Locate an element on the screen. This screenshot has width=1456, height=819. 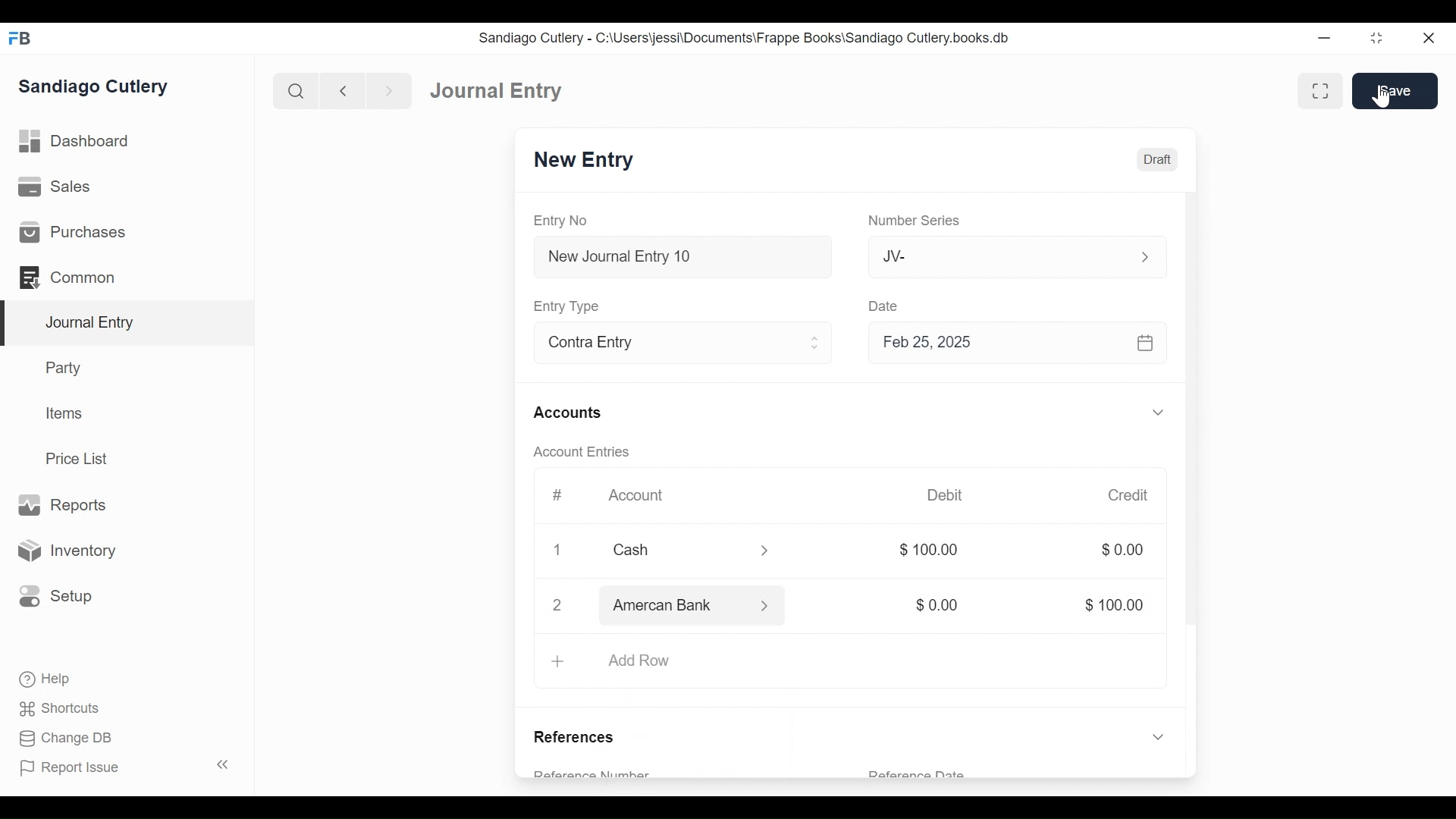
Add Row is located at coordinates (647, 658).